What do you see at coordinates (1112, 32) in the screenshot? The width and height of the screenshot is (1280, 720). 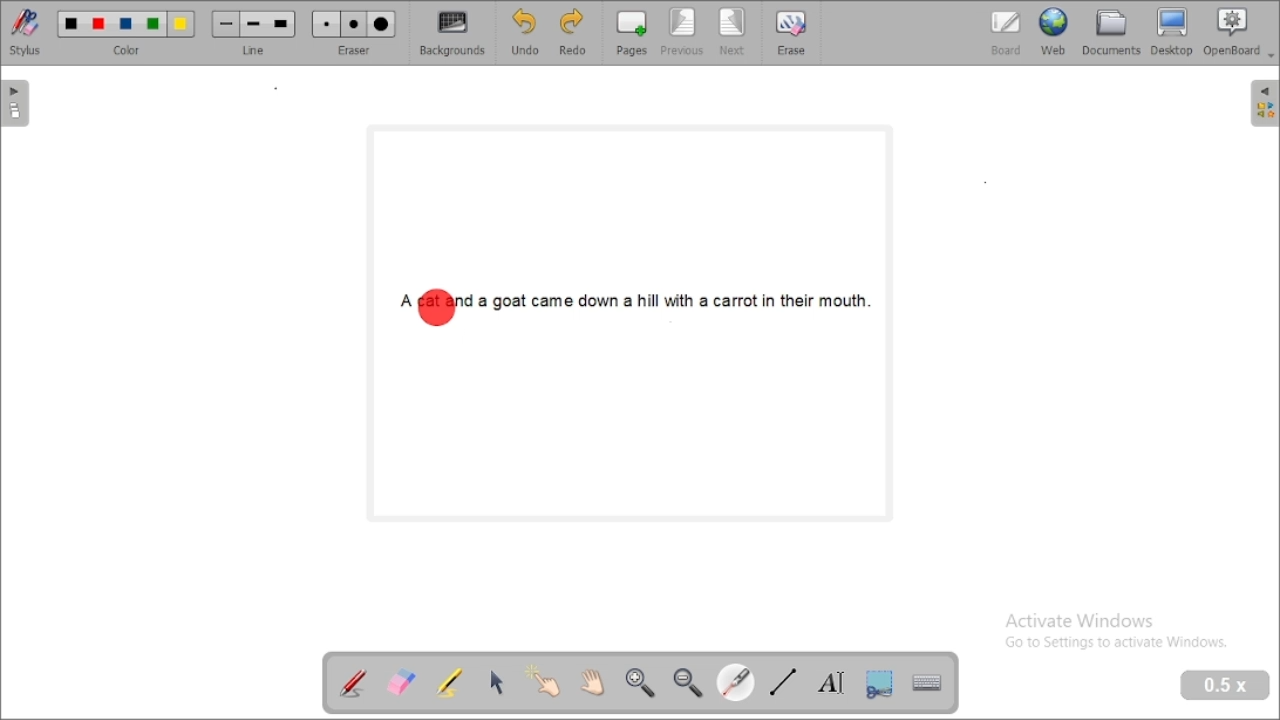 I see `document` at bounding box center [1112, 32].